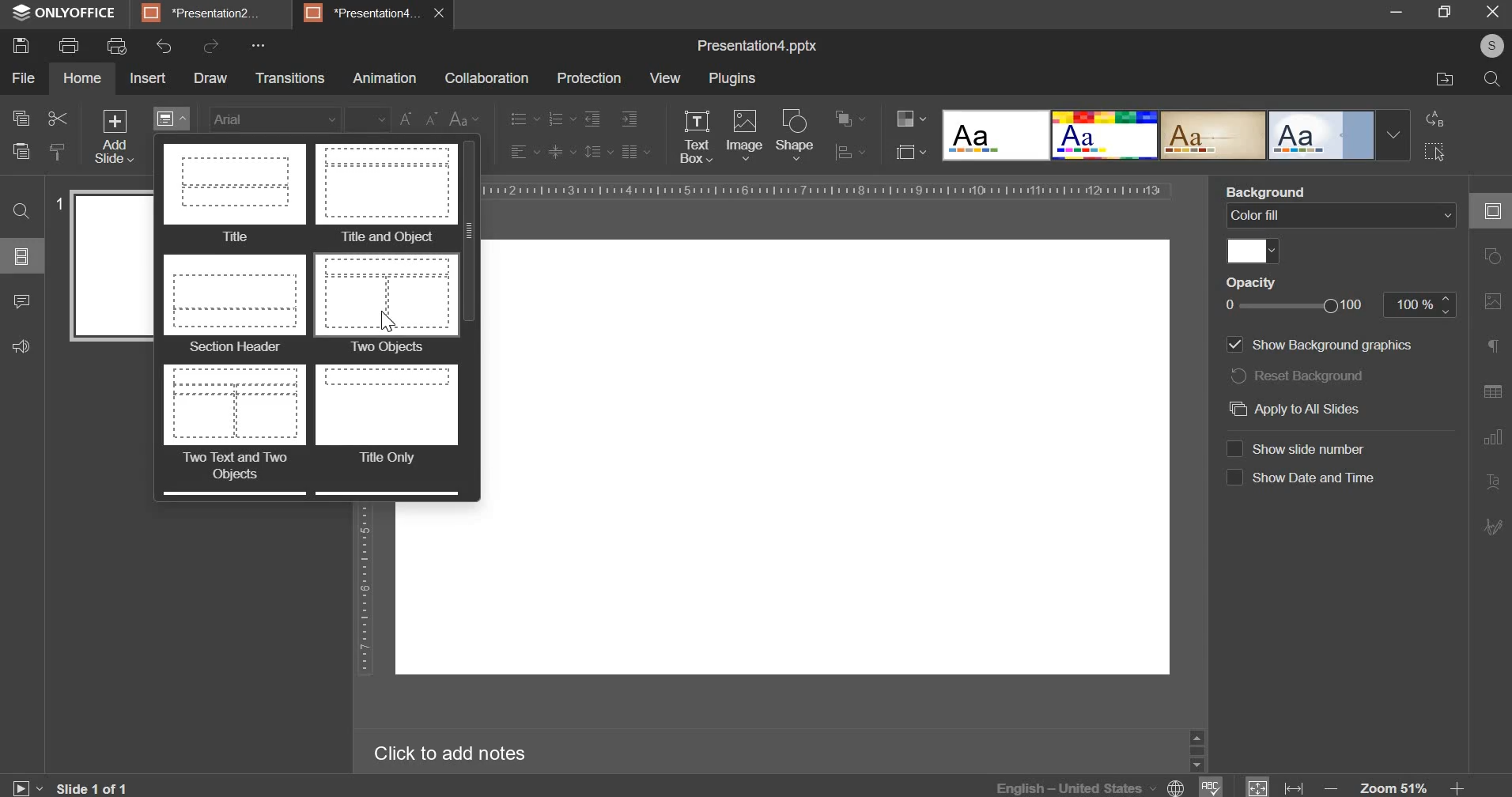 Image resolution: width=1512 pixels, height=797 pixels. What do you see at coordinates (905, 119) in the screenshot?
I see `change color theme` at bounding box center [905, 119].